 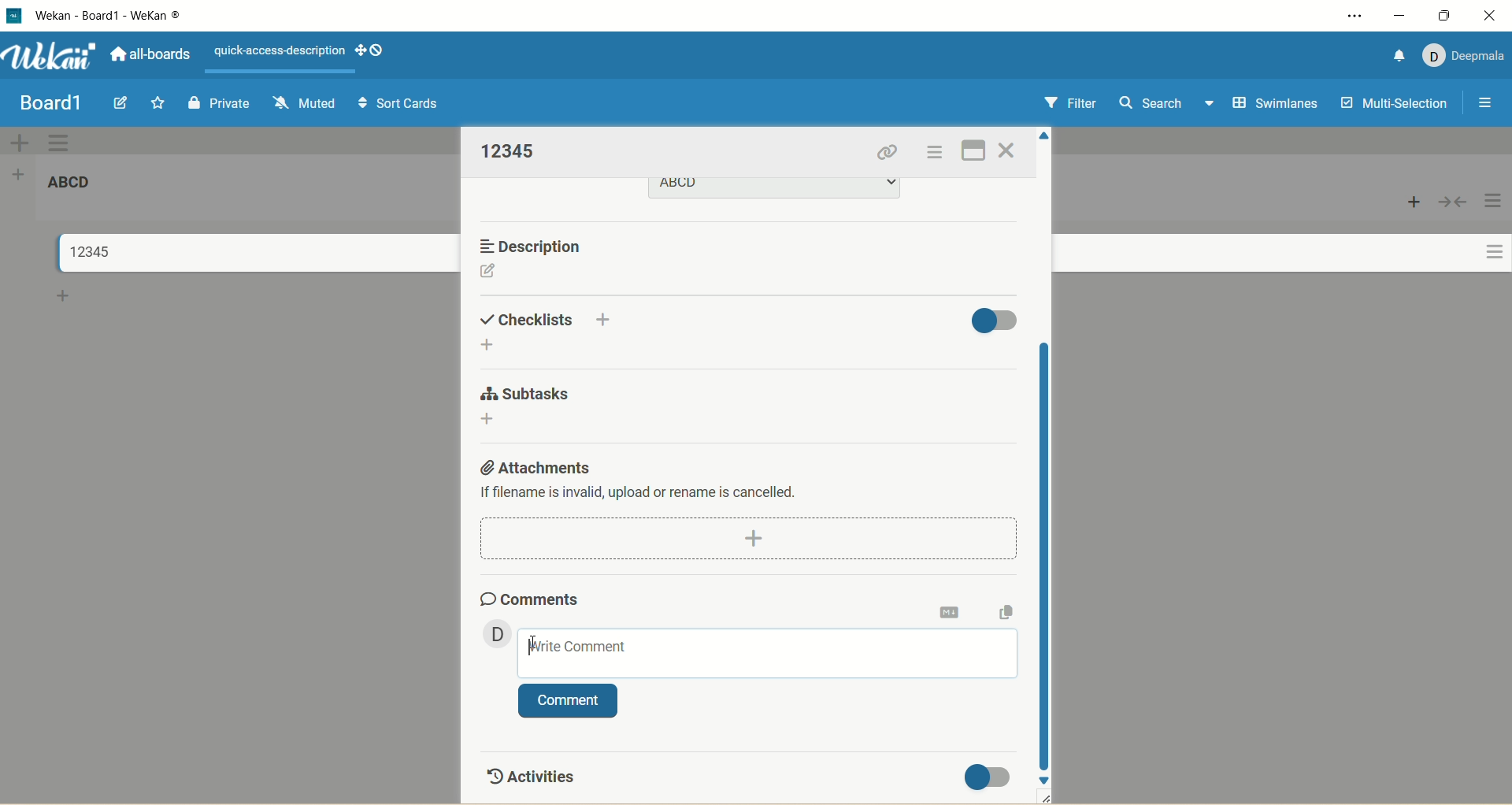 I want to click on private, so click(x=220, y=101).